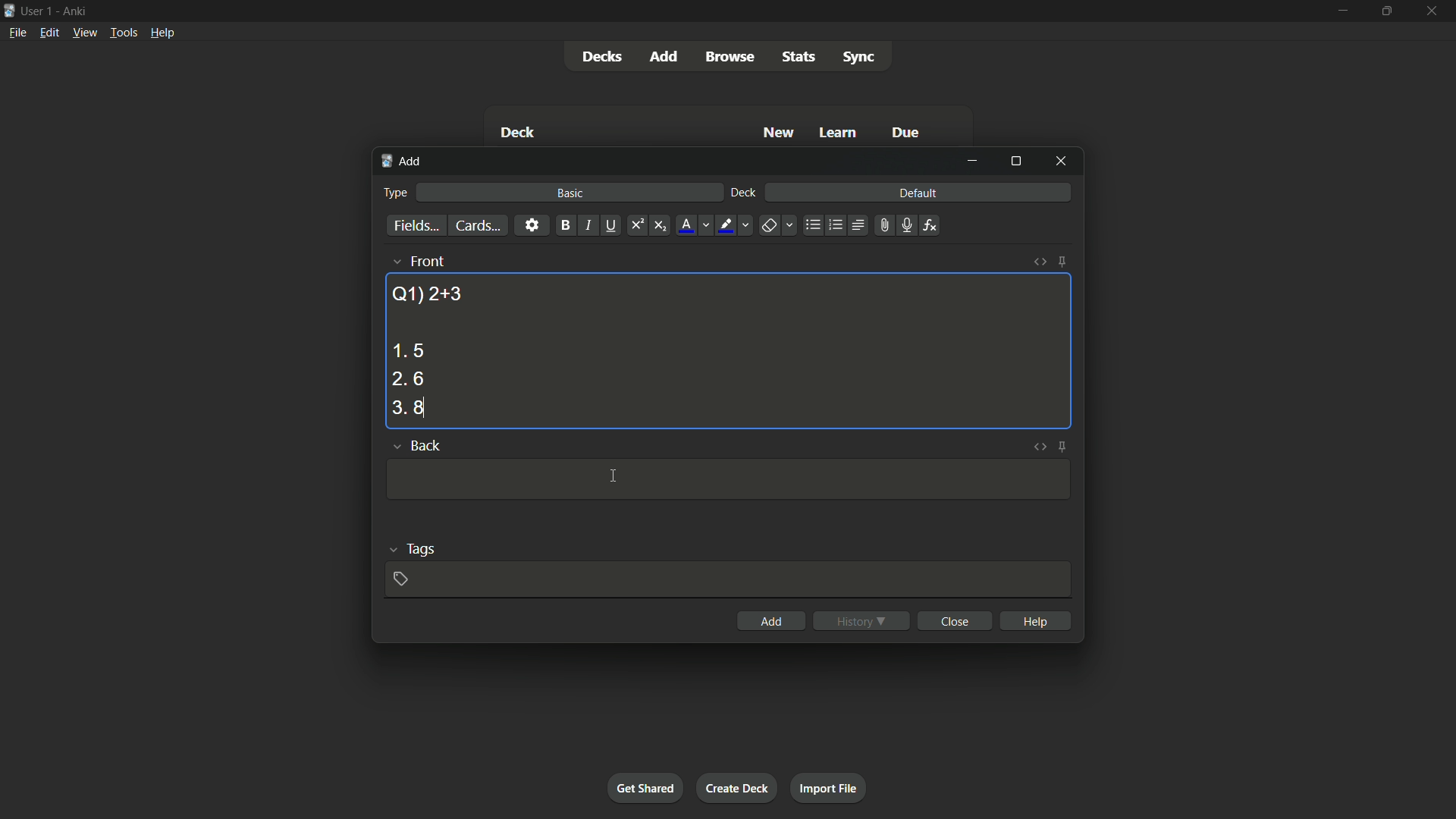  Describe the element at coordinates (427, 293) in the screenshot. I see `question` at that location.